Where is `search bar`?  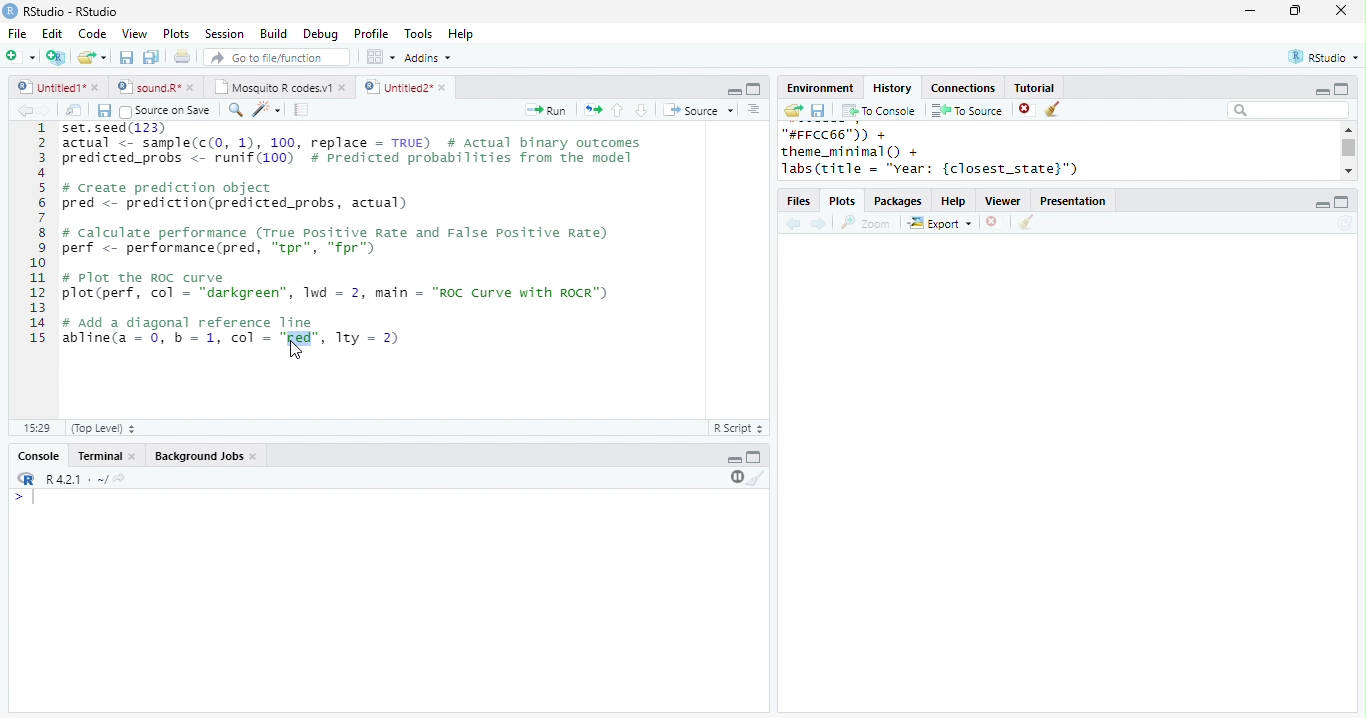 search bar is located at coordinates (1288, 109).